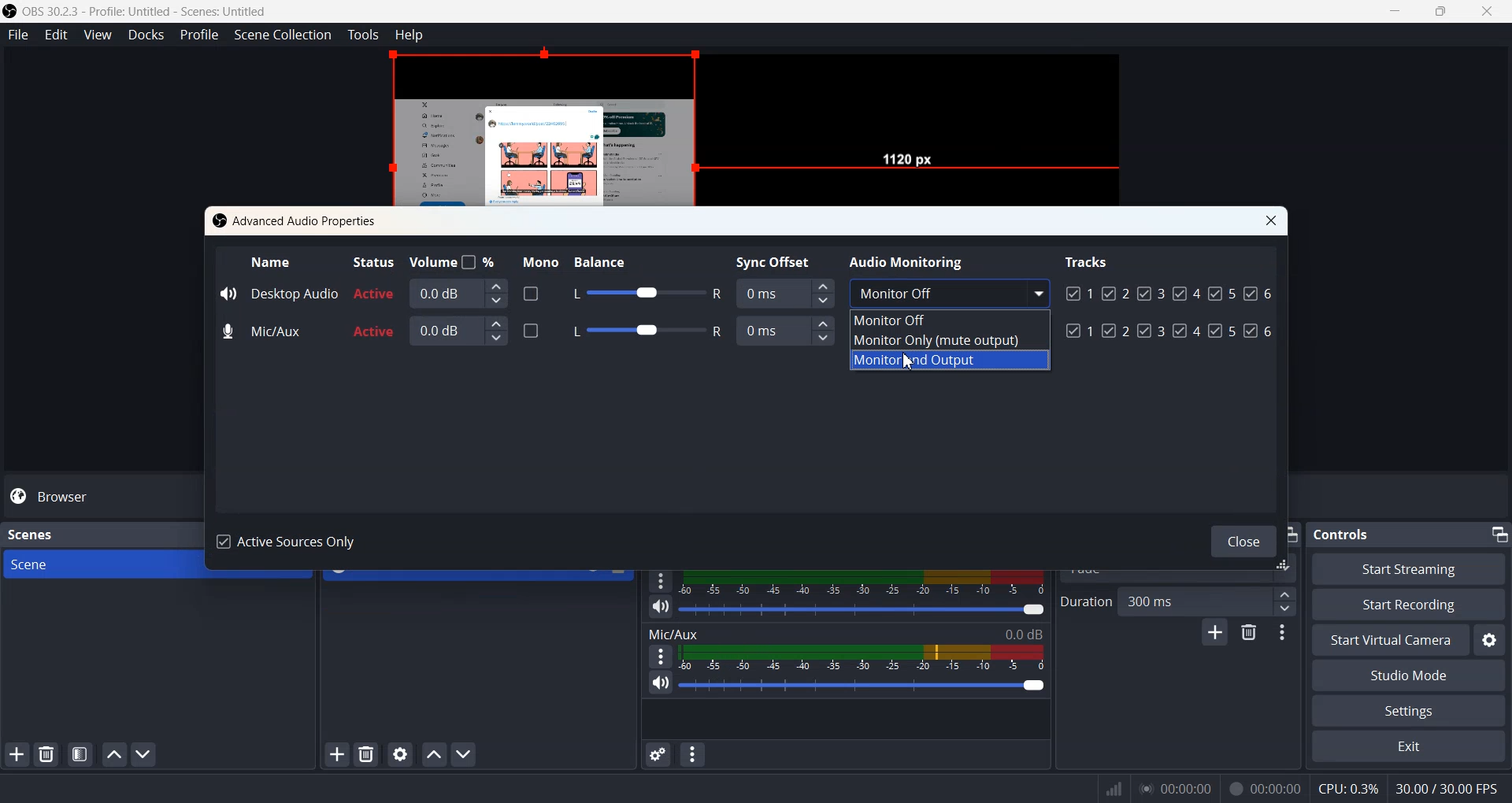 The height and width of the screenshot is (803, 1512). What do you see at coordinates (1408, 676) in the screenshot?
I see `Studio Mode` at bounding box center [1408, 676].